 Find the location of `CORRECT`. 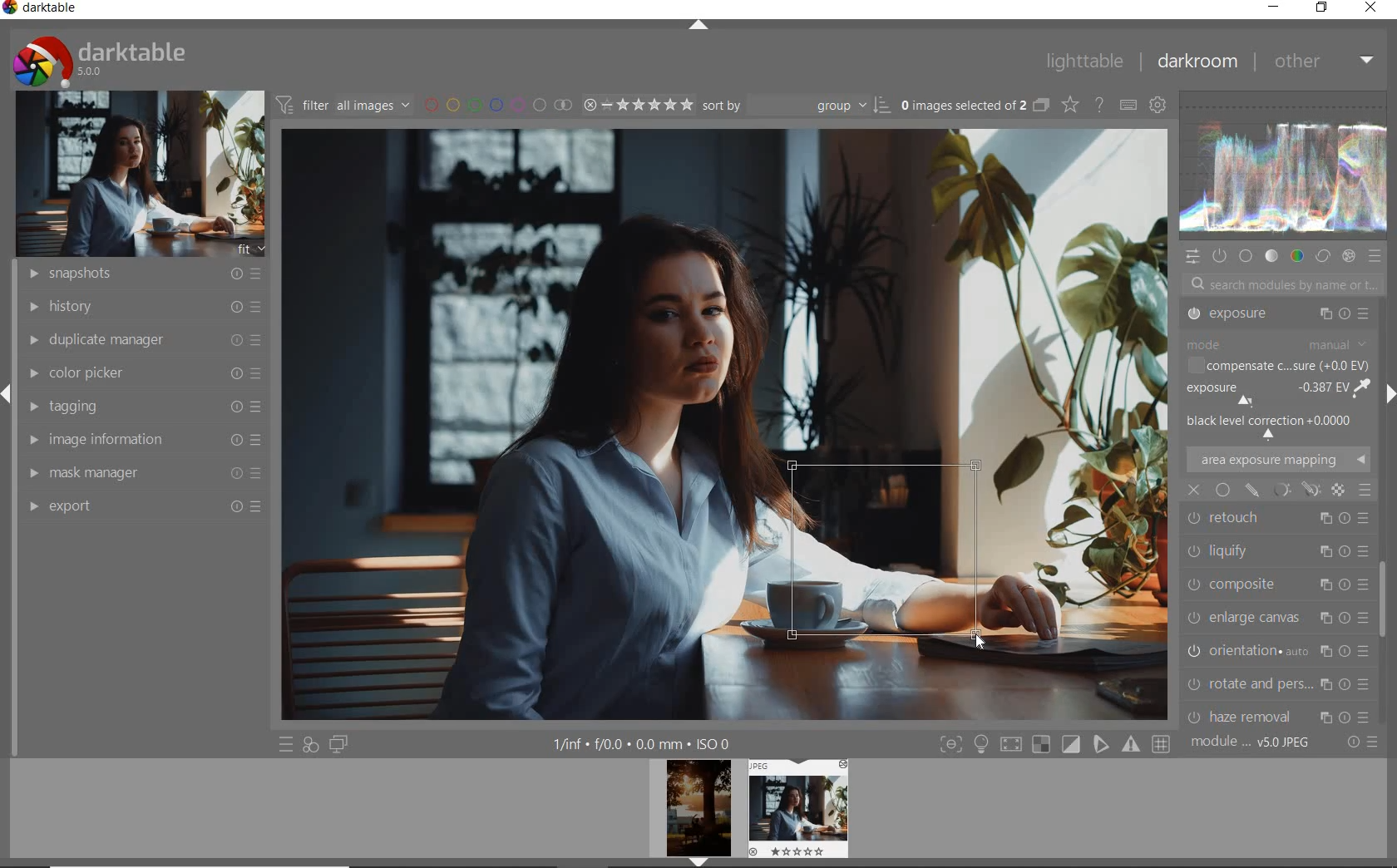

CORRECT is located at coordinates (1322, 254).